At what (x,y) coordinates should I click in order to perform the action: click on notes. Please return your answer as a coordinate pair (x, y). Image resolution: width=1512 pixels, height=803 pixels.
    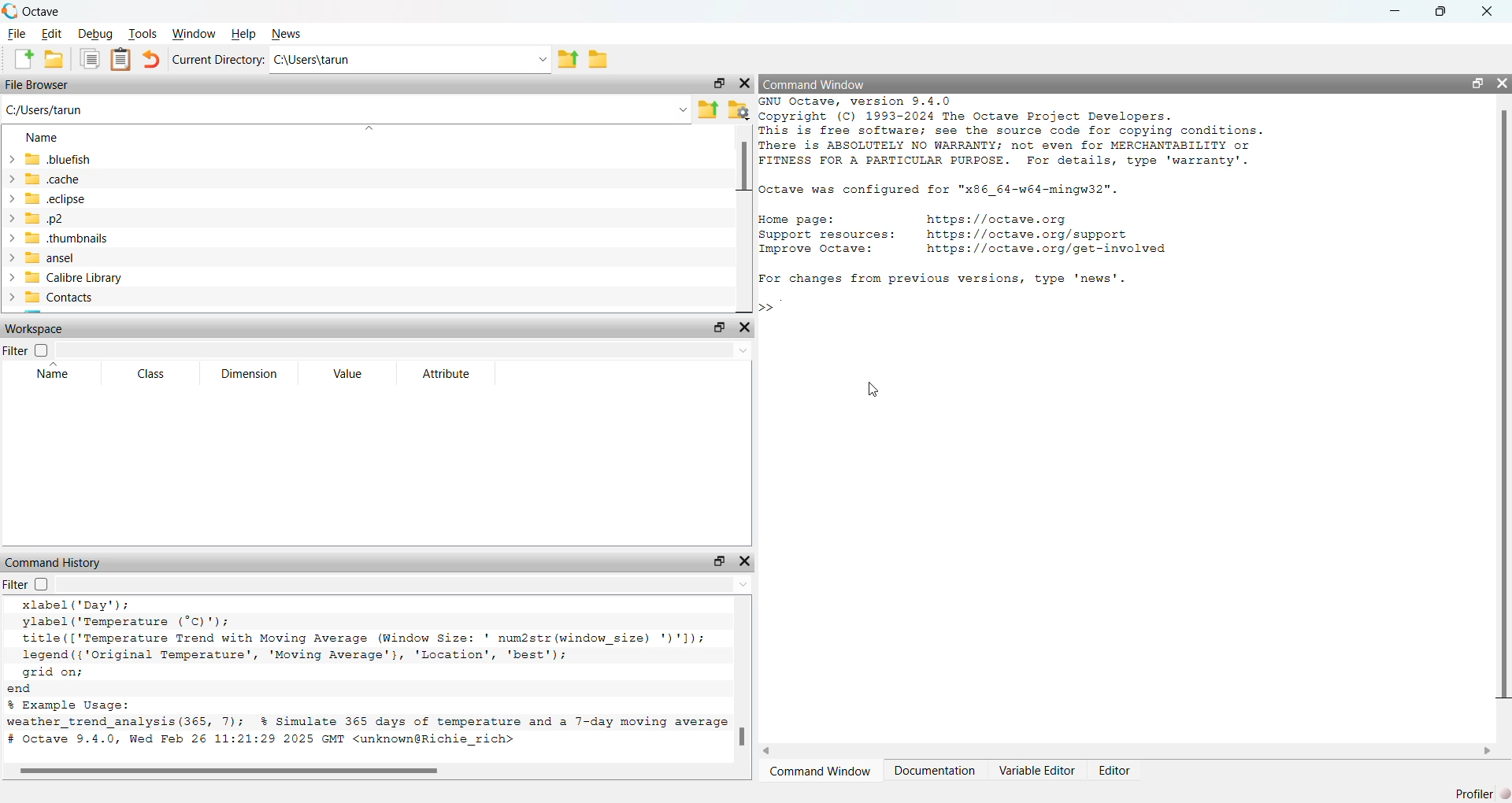
    Looking at the image, I should click on (122, 60).